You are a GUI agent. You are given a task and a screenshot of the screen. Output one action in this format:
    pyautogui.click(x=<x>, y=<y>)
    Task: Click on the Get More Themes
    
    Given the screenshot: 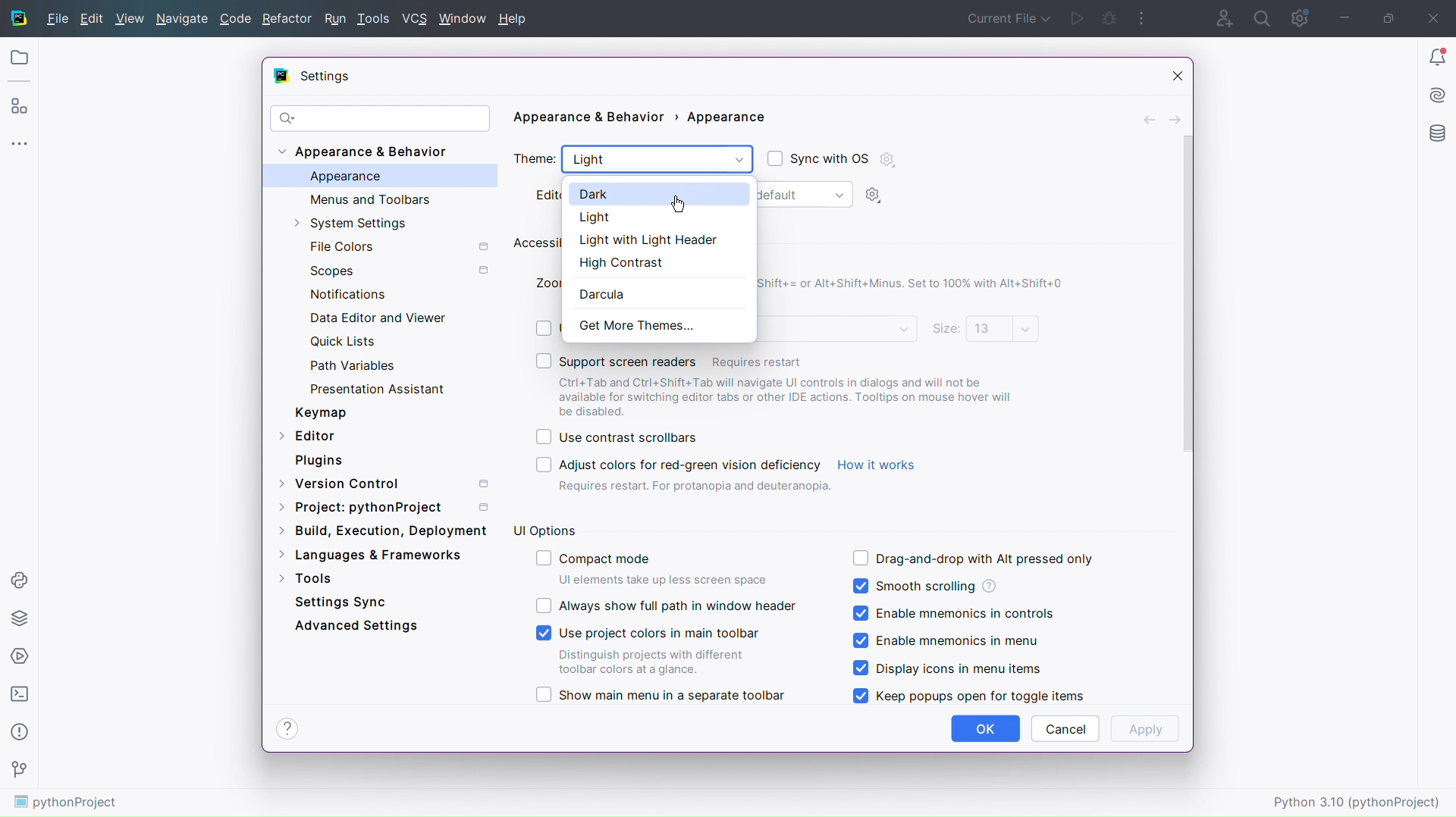 What is the action you would take?
    pyautogui.click(x=634, y=324)
    